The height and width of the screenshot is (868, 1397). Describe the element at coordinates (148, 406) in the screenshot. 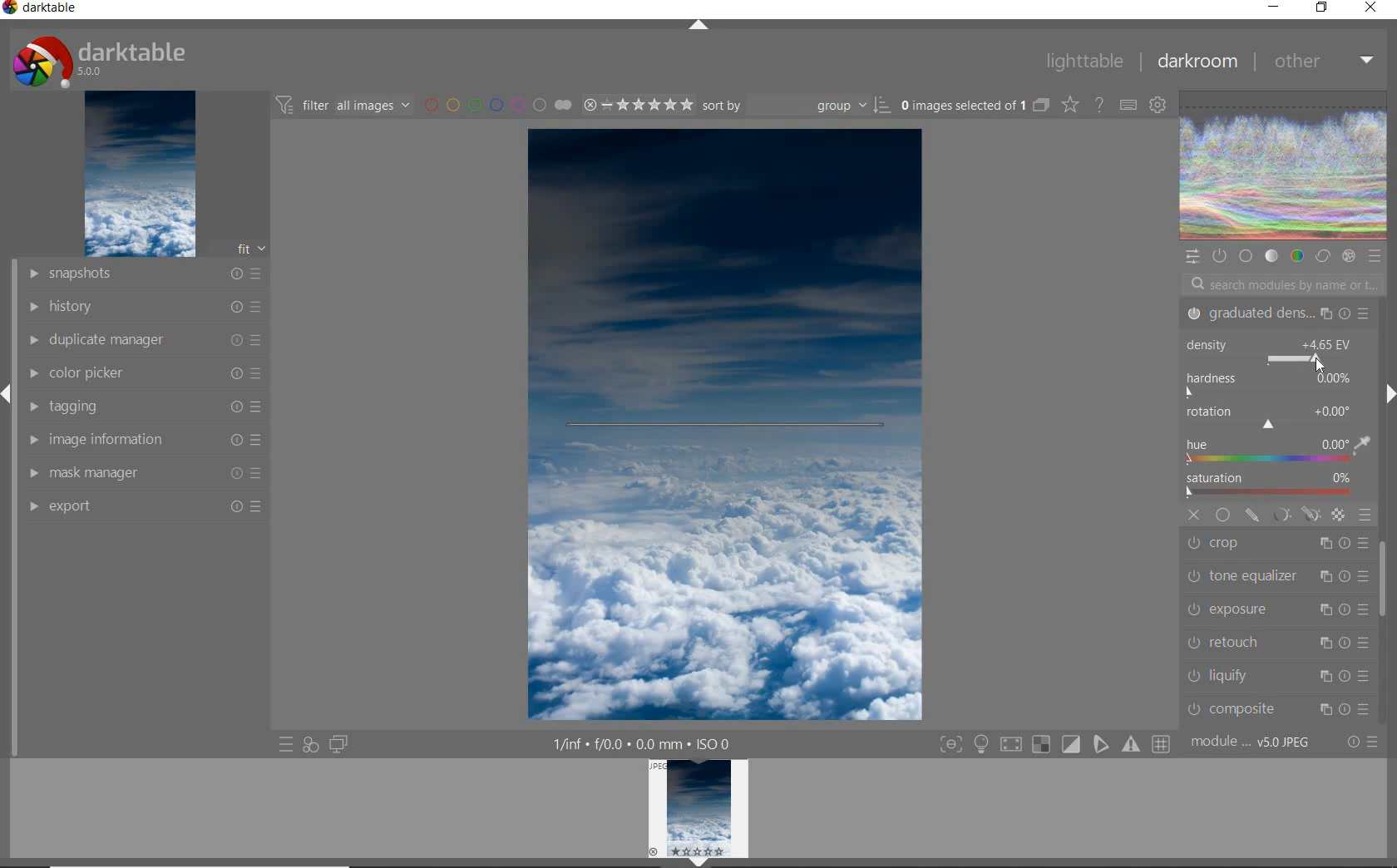

I see `TAGGING` at that location.